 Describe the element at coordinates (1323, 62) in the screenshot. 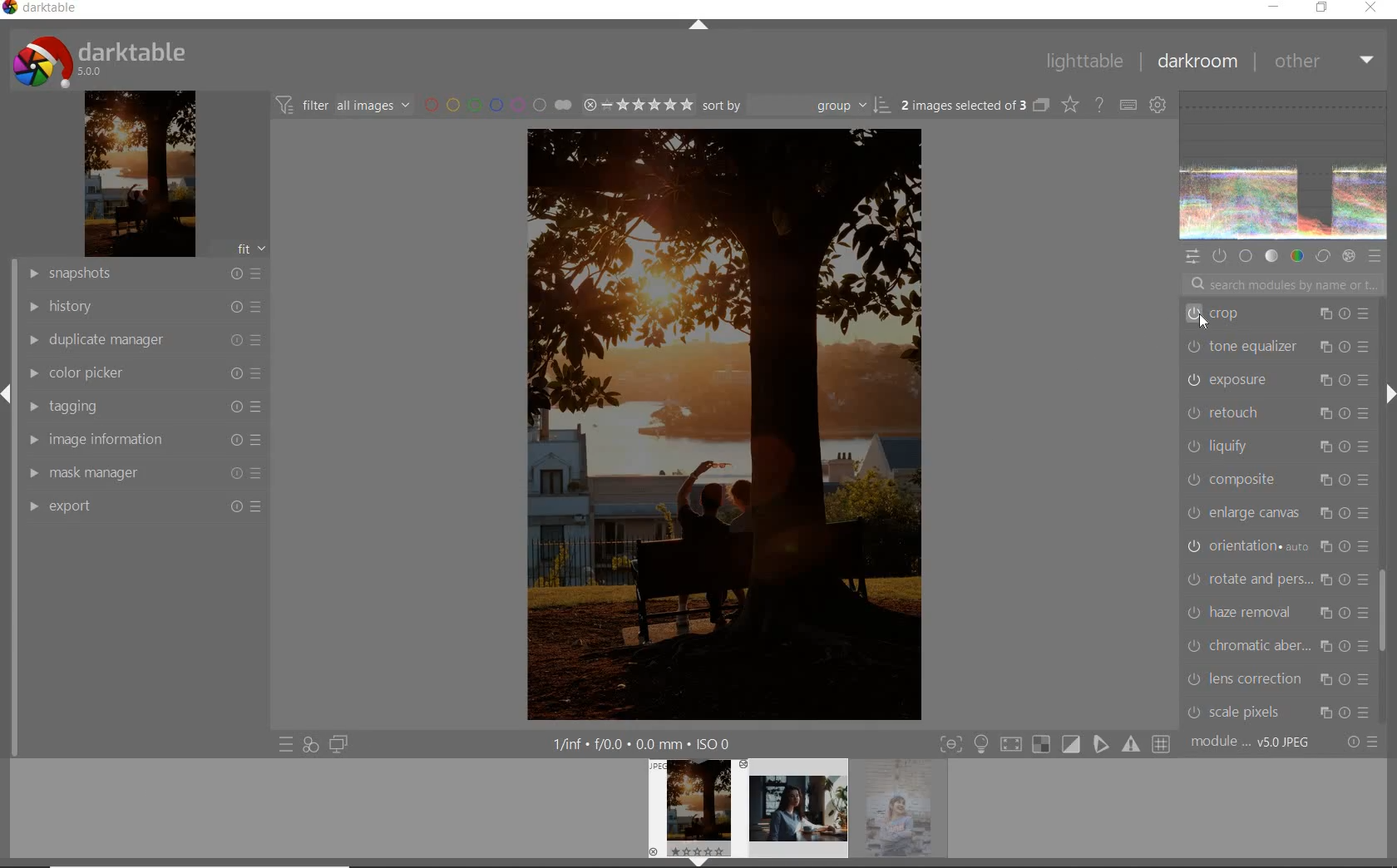

I see `other` at that location.